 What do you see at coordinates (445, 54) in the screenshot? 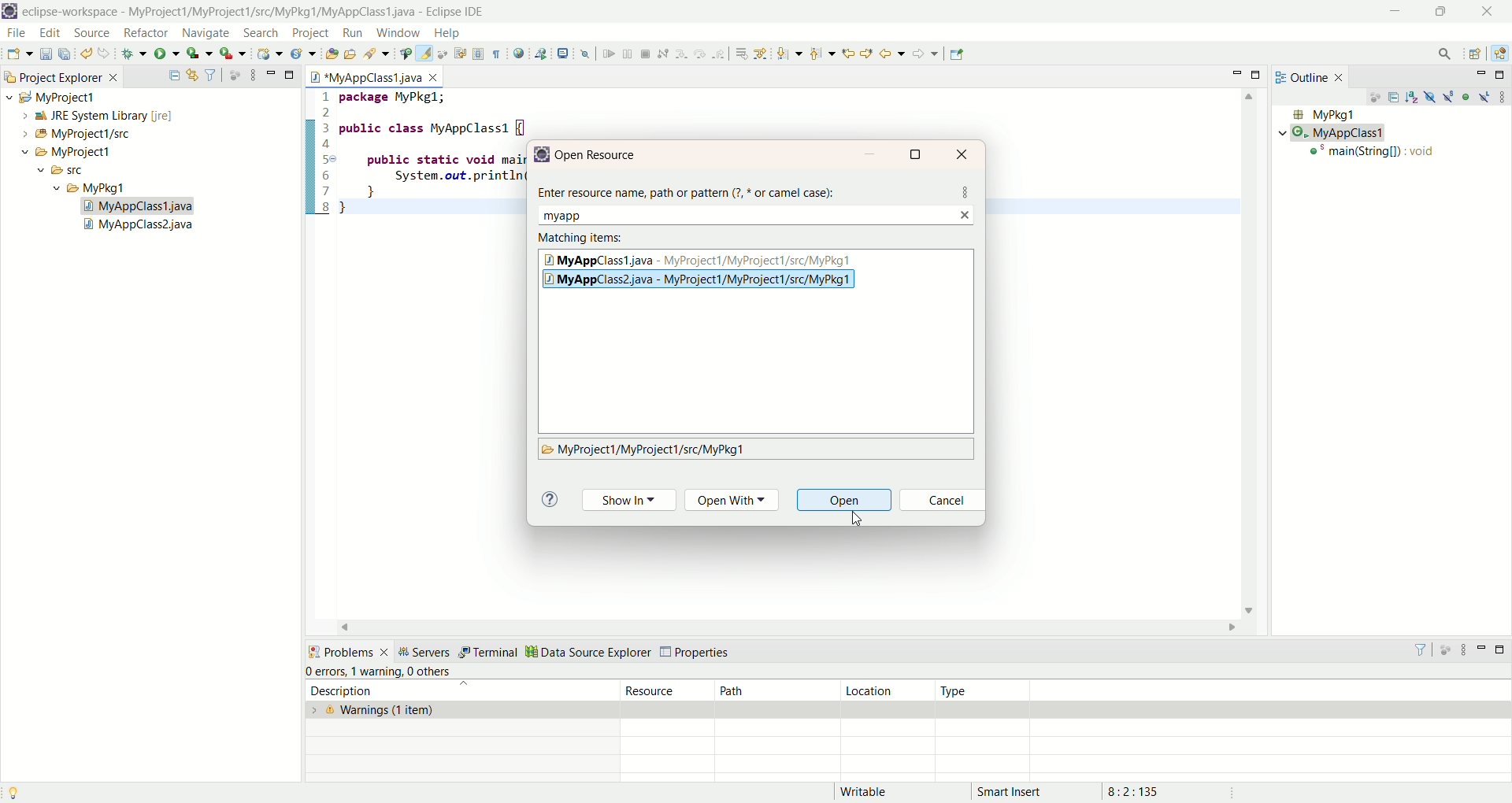
I see `automatically fold uninteresting elements` at bounding box center [445, 54].